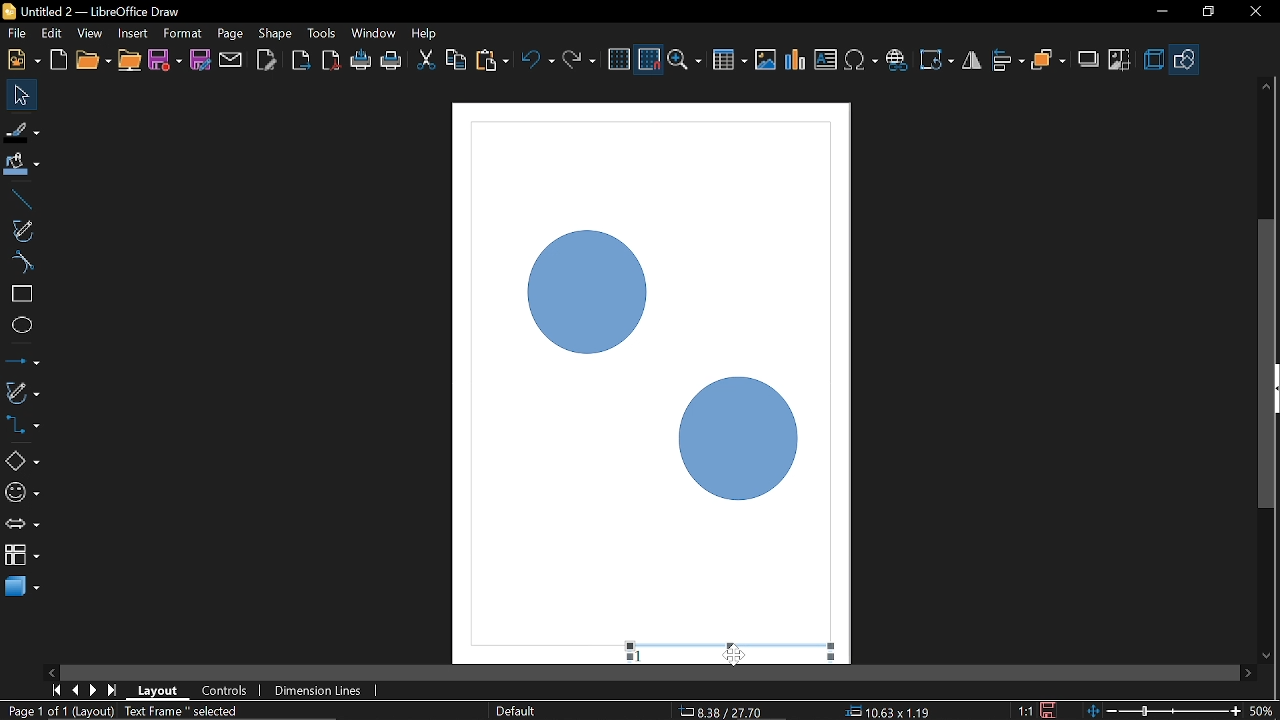 Image resolution: width=1280 pixels, height=720 pixels. I want to click on Edit, so click(53, 34).